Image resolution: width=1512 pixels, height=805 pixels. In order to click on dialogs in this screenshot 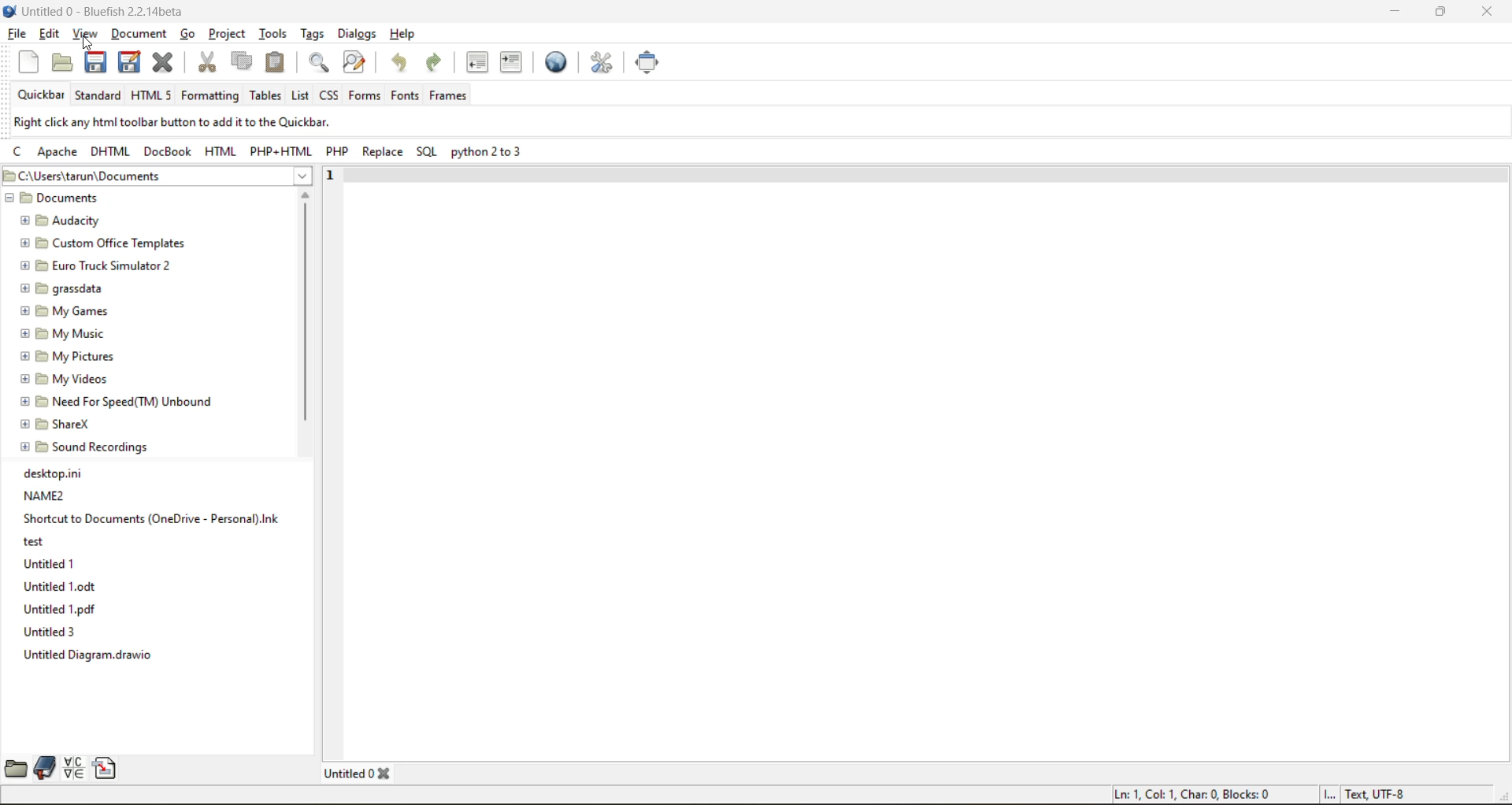, I will do `click(354, 33)`.